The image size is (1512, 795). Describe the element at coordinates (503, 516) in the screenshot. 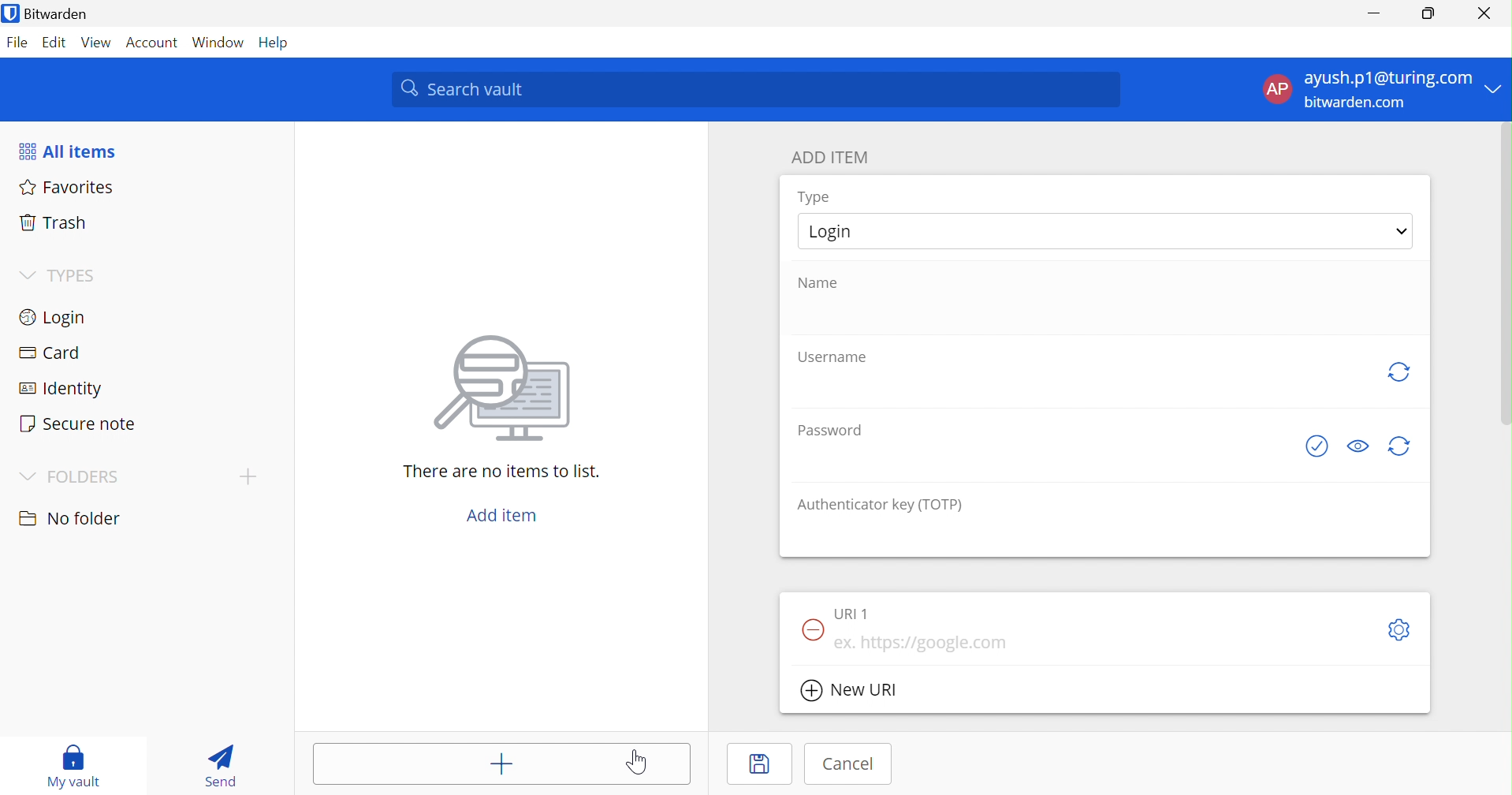

I see `Add item` at that location.